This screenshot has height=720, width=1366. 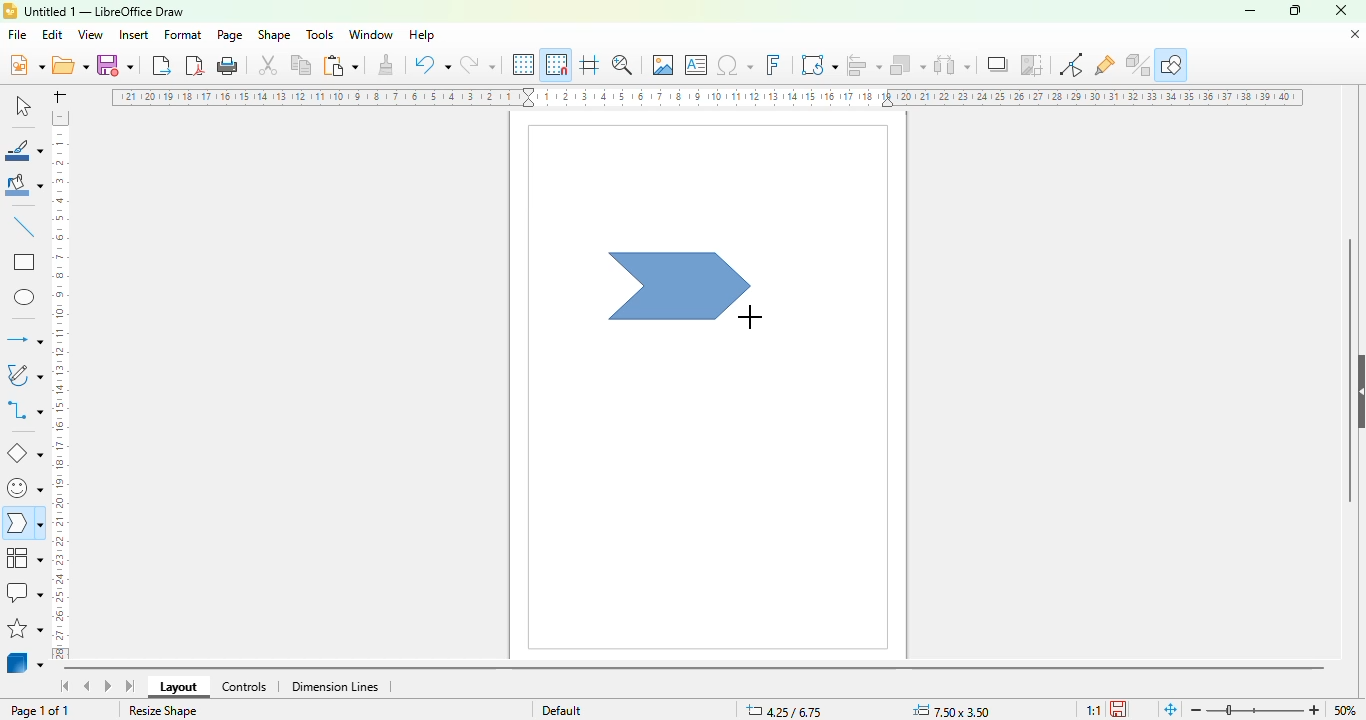 I want to click on show, so click(x=1357, y=392).